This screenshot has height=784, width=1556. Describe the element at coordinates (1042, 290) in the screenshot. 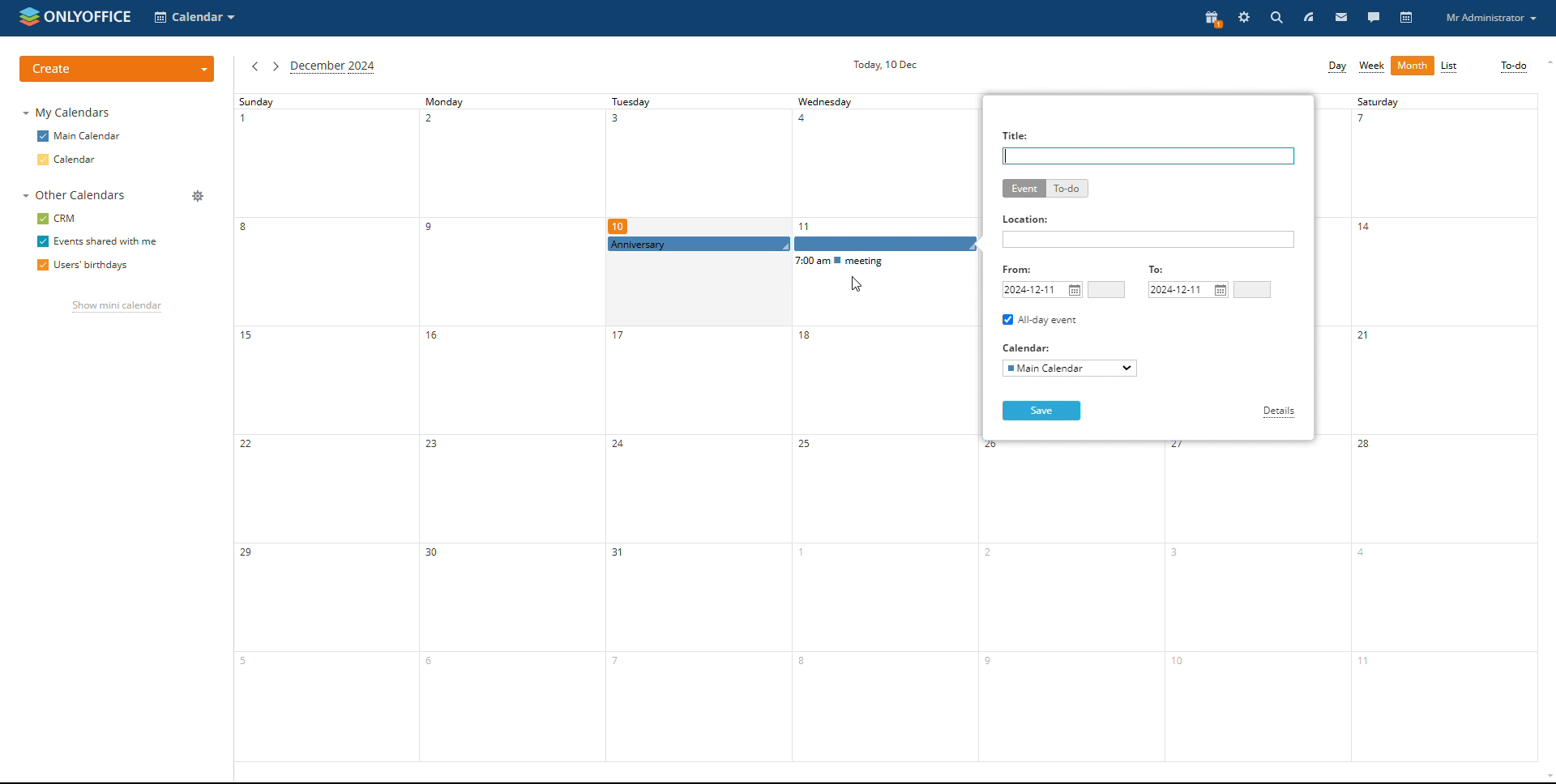

I see `start date` at that location.